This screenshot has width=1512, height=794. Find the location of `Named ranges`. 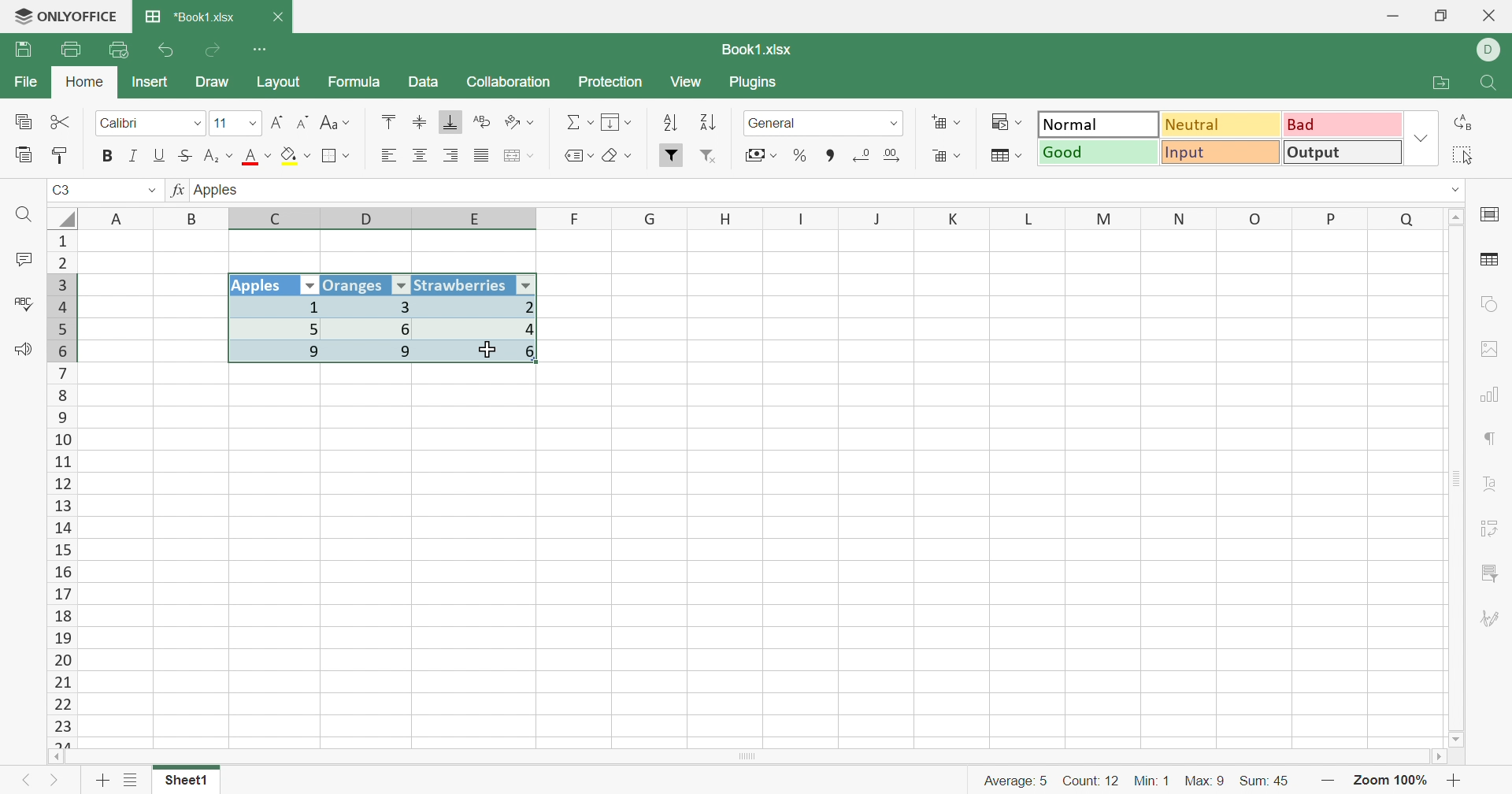

Named ranges is located at coordinates (576, 155).